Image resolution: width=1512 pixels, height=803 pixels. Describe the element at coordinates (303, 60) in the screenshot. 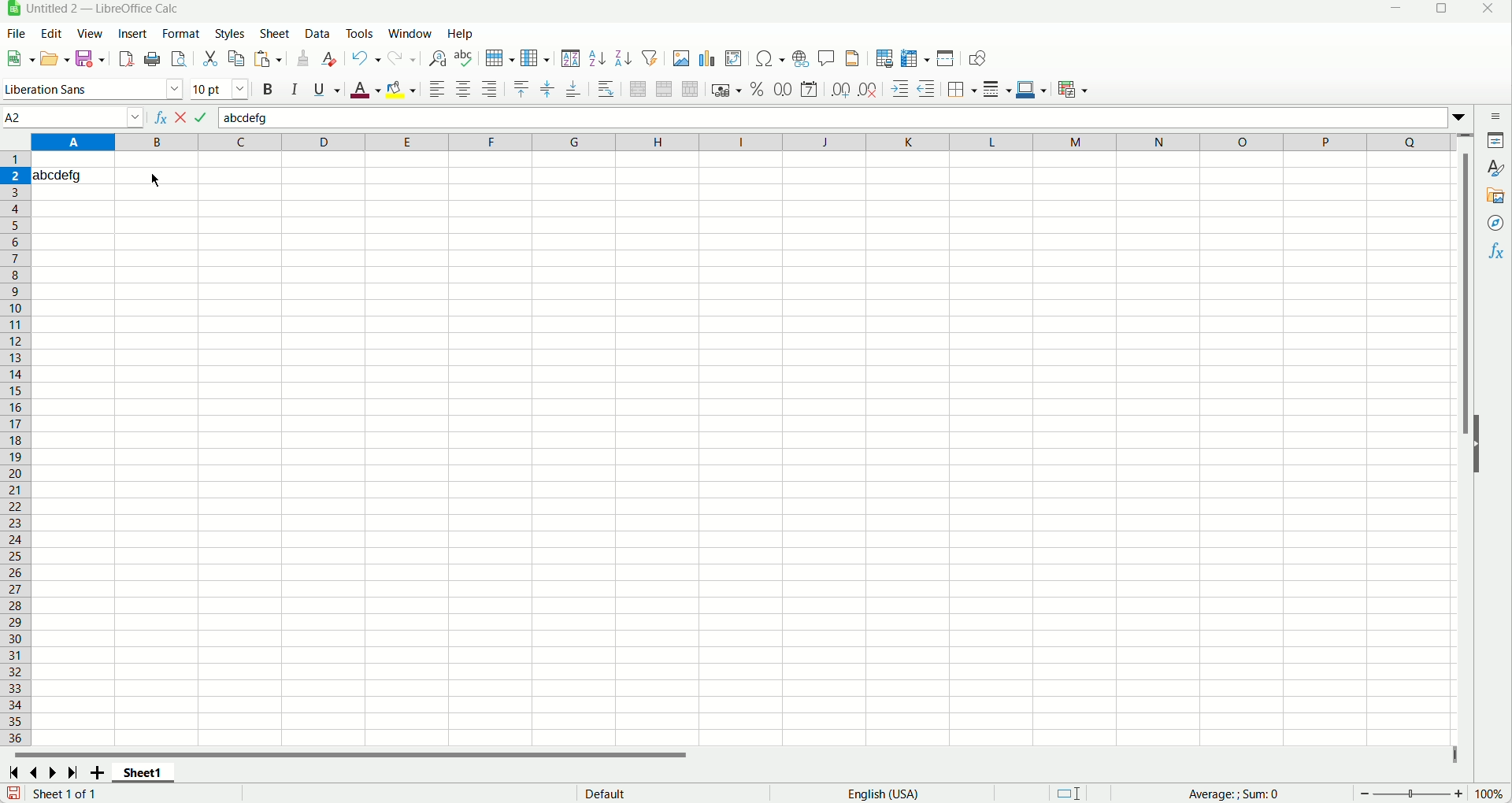

I see `clone formatting` at that location.